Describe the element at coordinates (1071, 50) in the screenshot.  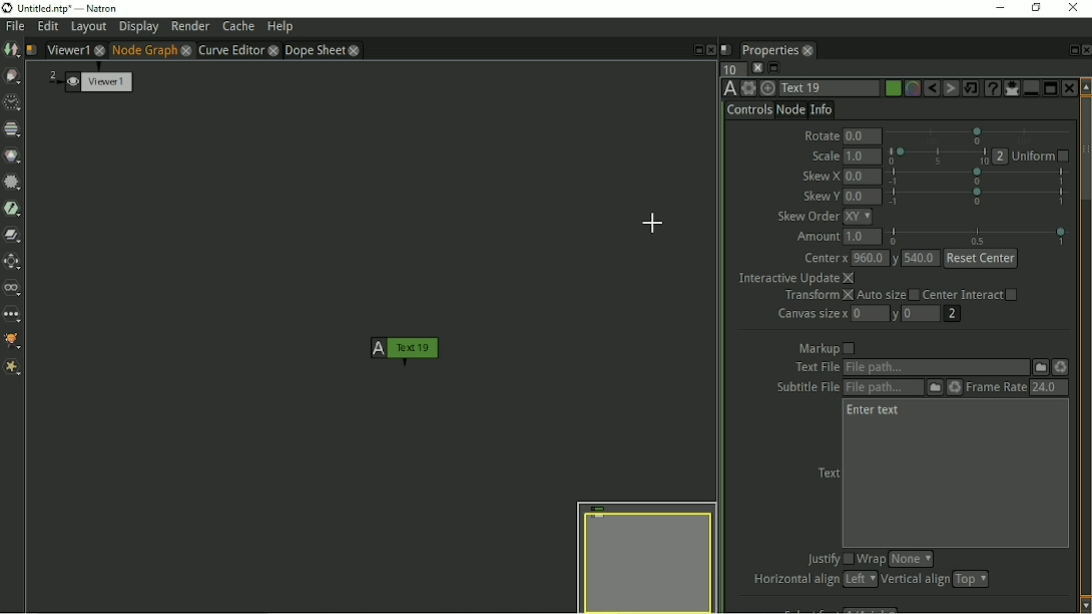
I see `Float pane` at that location.